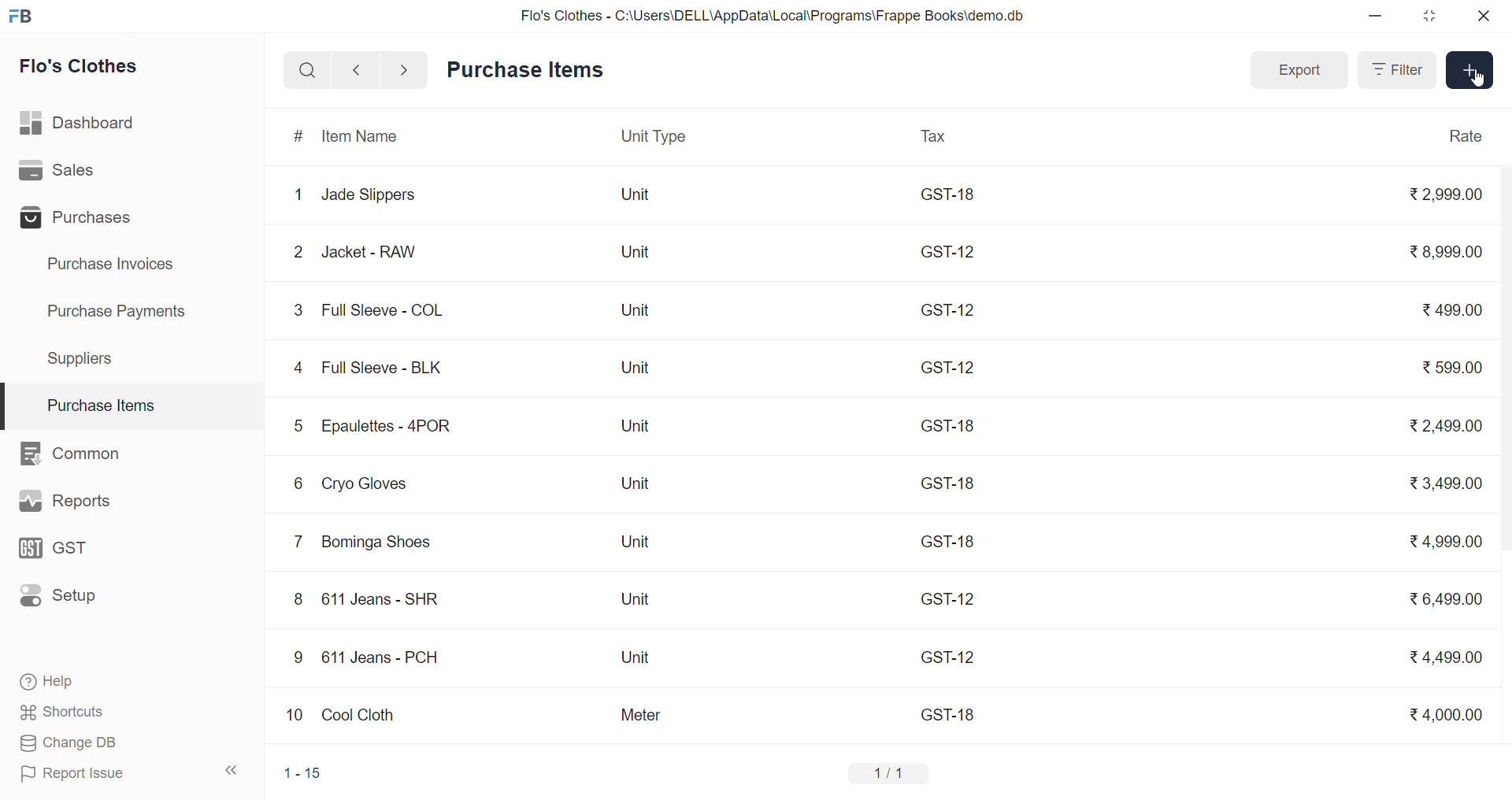 Image resolution: width=1512 pixels, height=800 pixels. Describe the element at coordinates (1478, 16) in the screenshot. I see `close` at that location.